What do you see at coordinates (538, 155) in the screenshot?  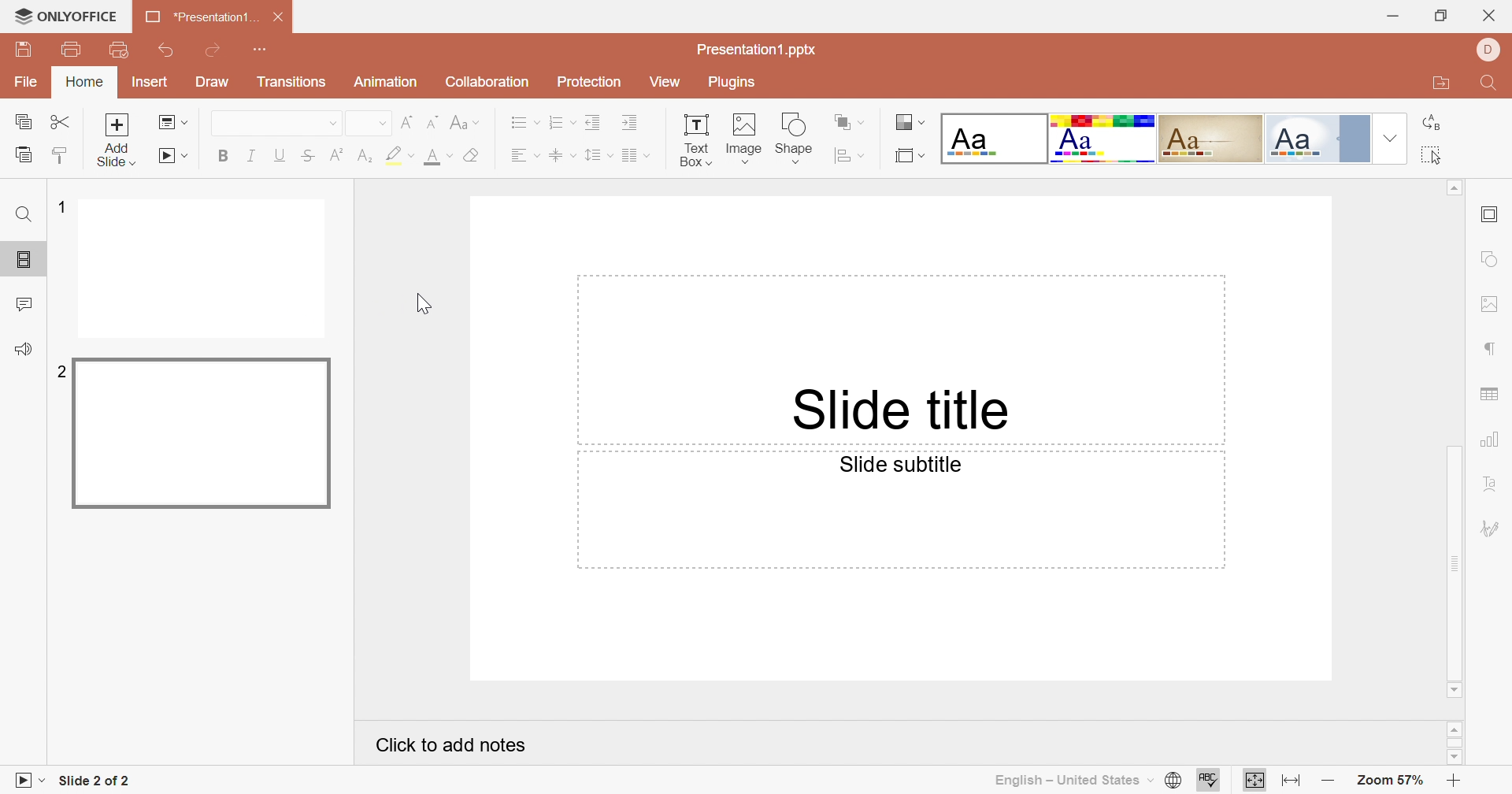 I see `Drop Down` at bounding box center [538, 155].